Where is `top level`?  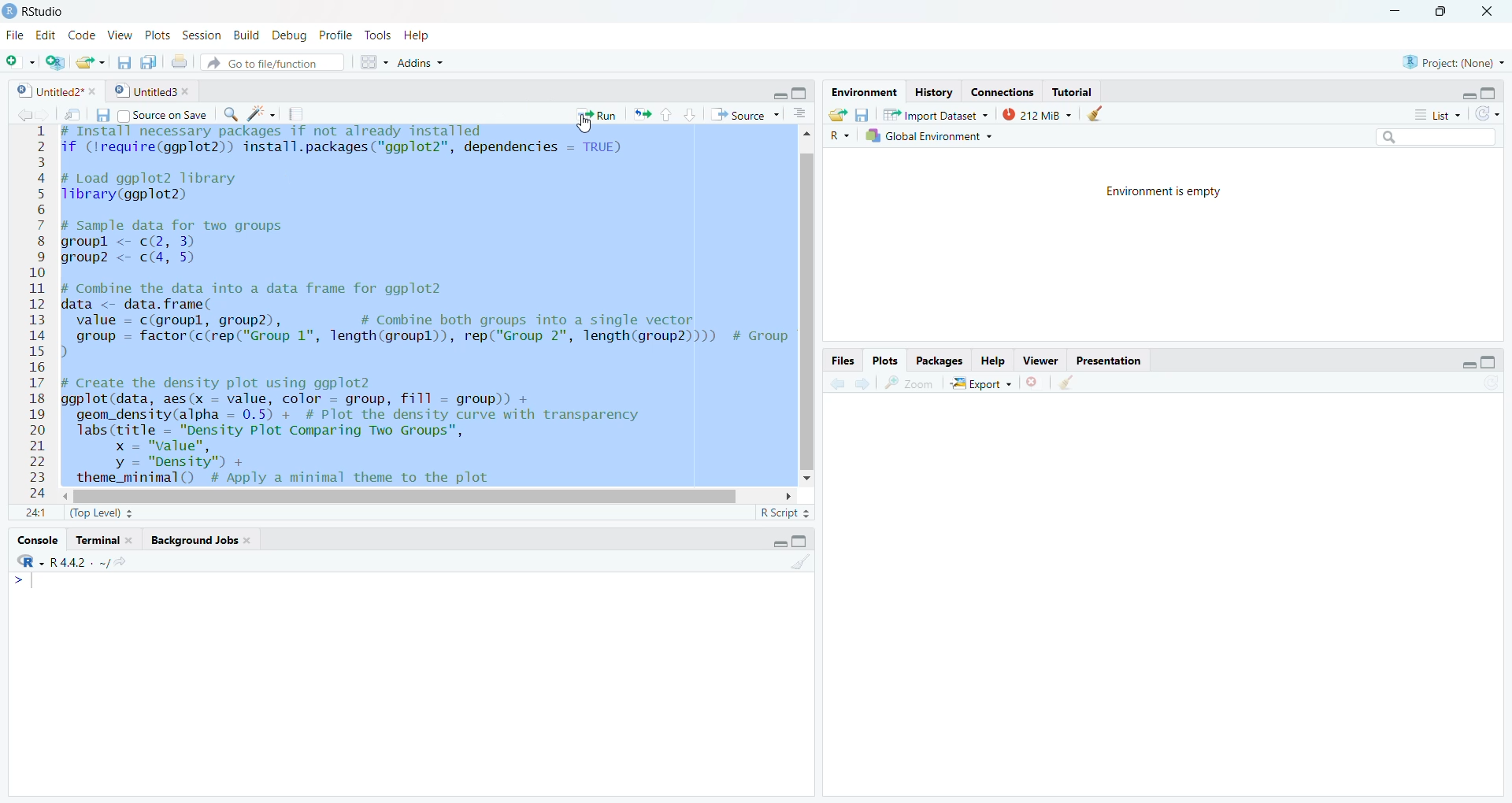
top level is located at coordinates (102, 515).